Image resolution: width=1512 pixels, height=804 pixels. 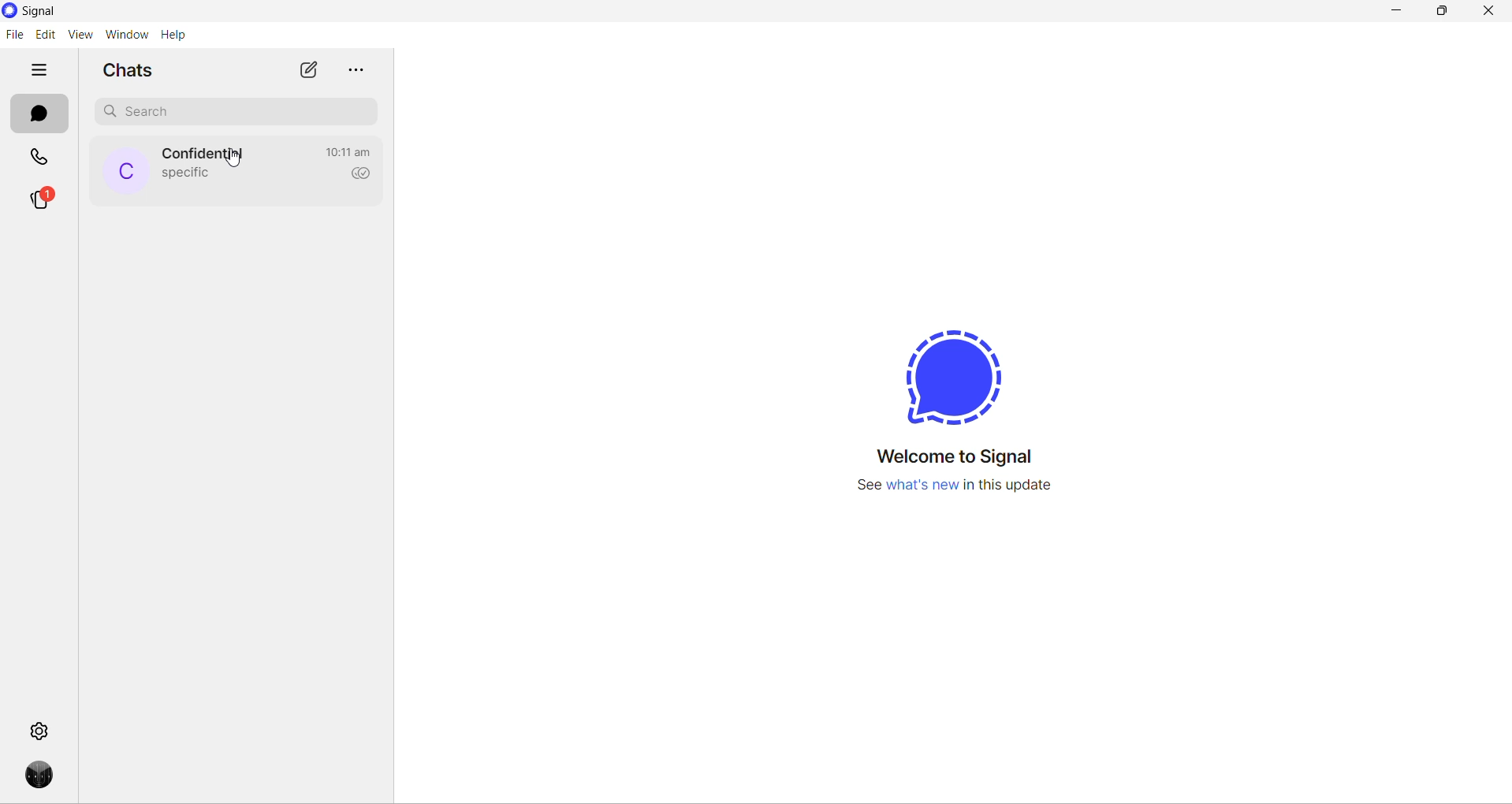 I want to click on settings, so click(x=39, y=731).